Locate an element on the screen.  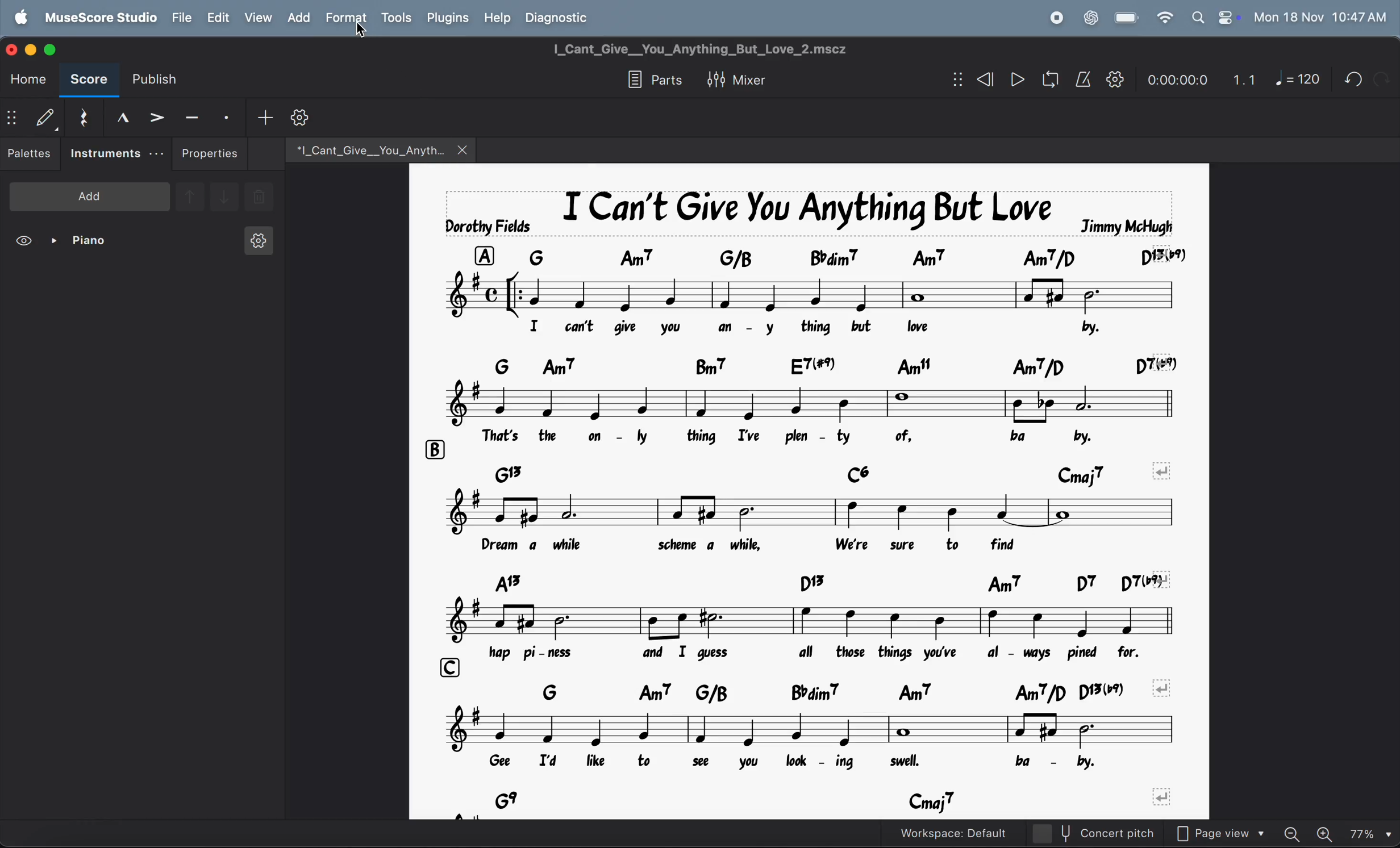
rows is located at coordinates (452, 666).